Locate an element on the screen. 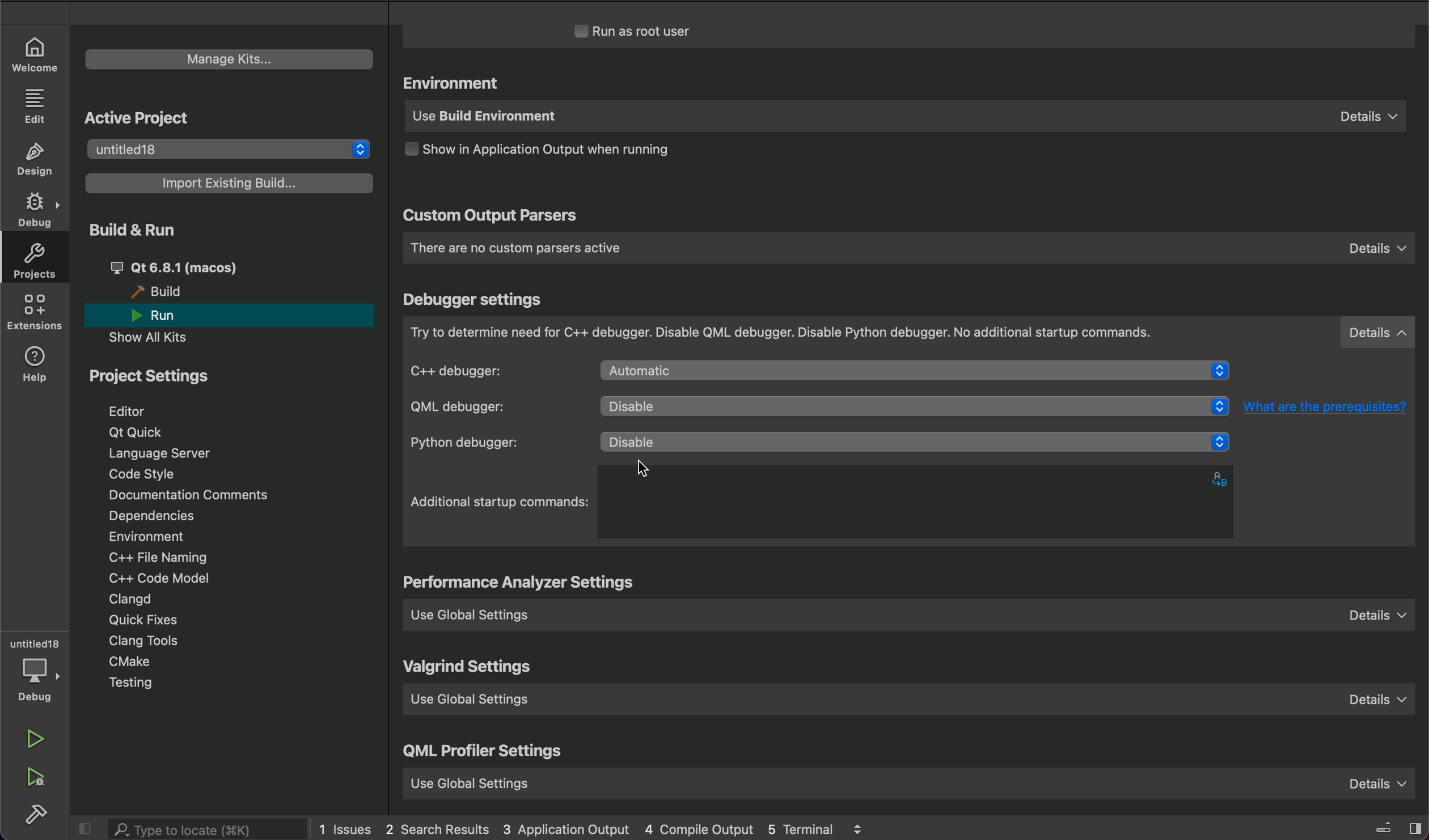 Image resolution: width=1429 pixels, height=840 pixels. editor is located at coordinates (130, 411).